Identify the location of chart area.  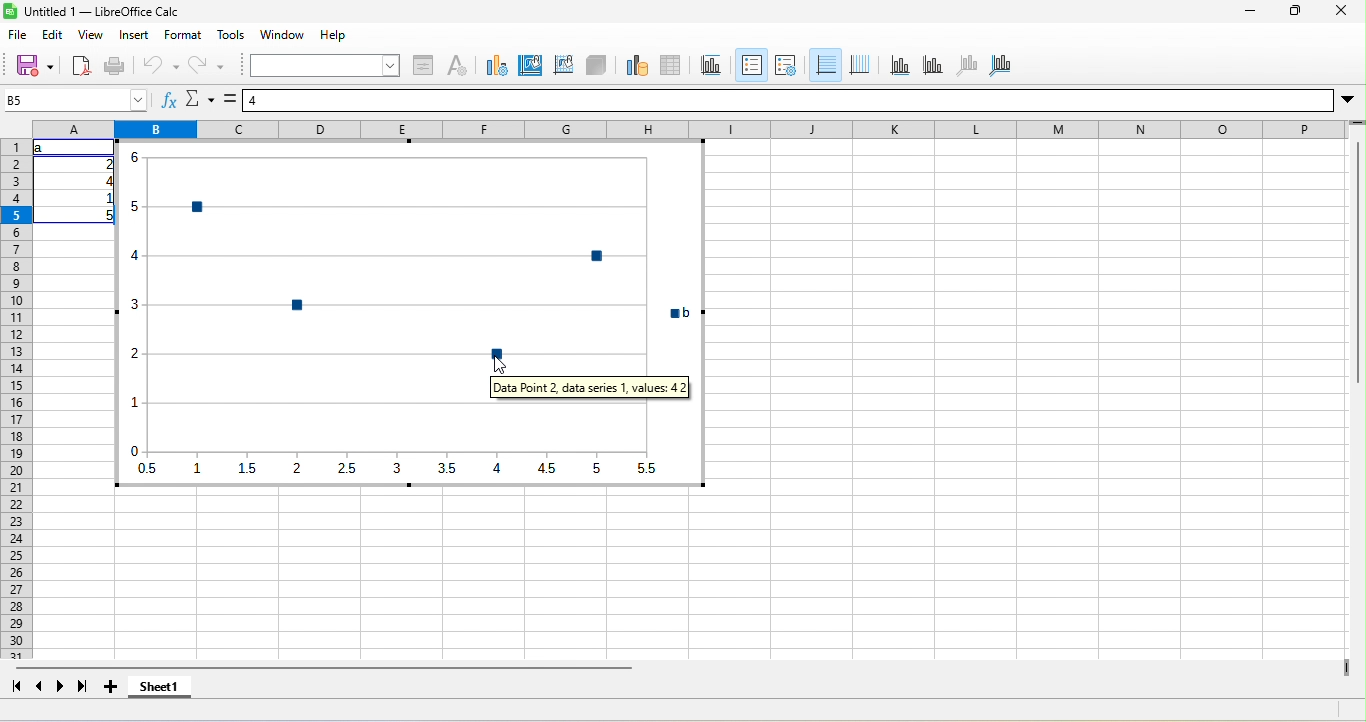
(530, 67).